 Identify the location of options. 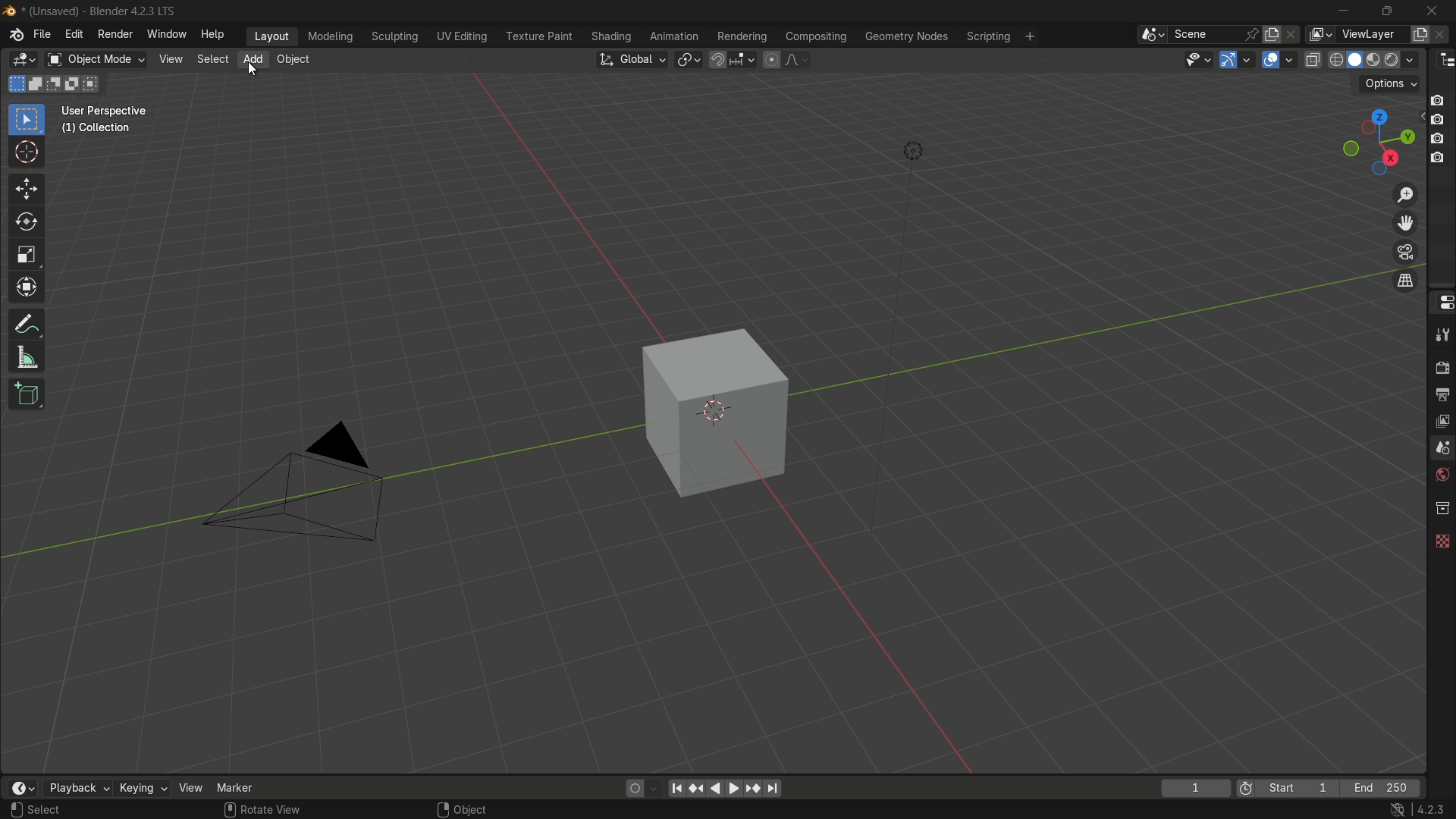
(1389, 85).